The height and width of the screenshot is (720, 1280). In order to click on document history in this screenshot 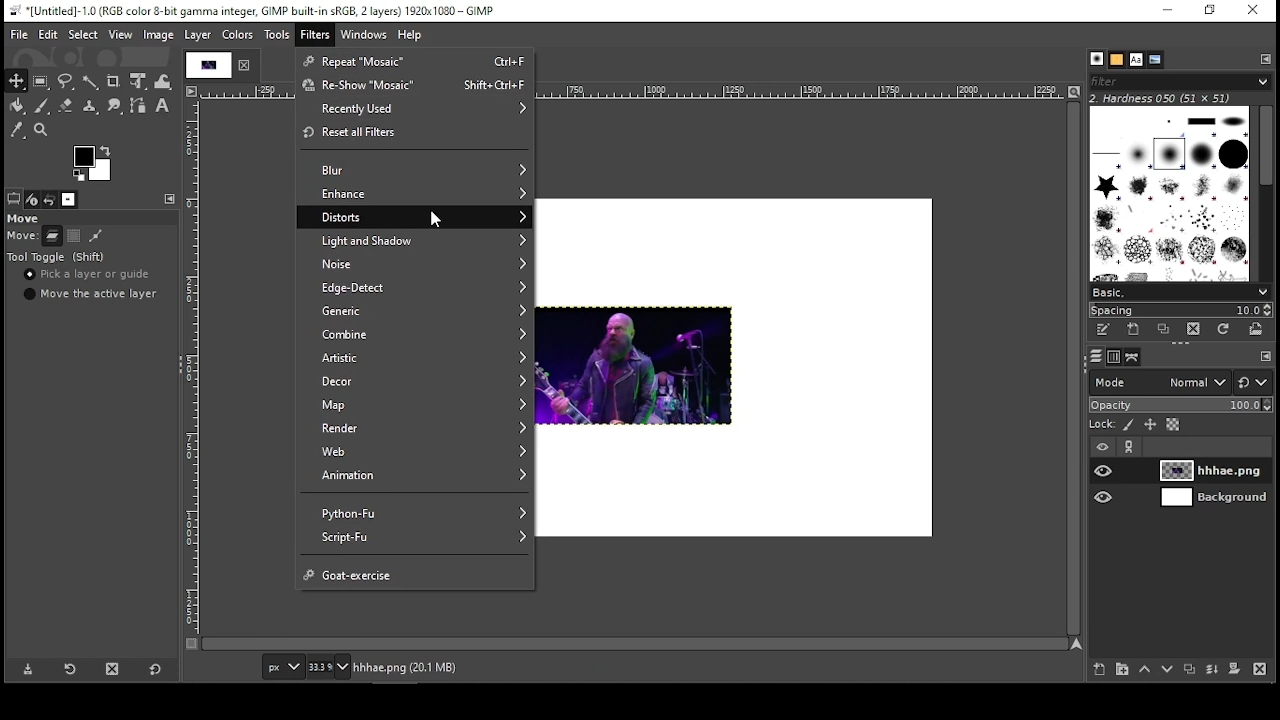, I will do `click(1156, 59)`.